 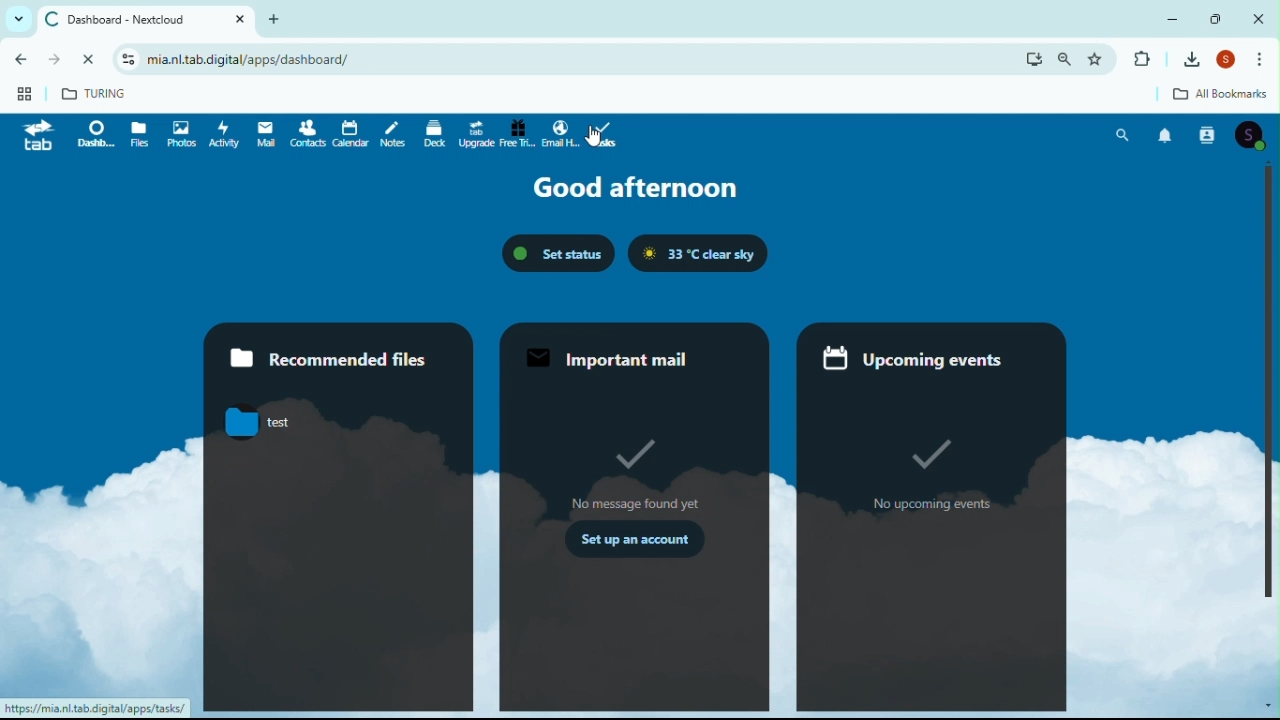 I want to click on Minimise, so click(x=1177, y=18).